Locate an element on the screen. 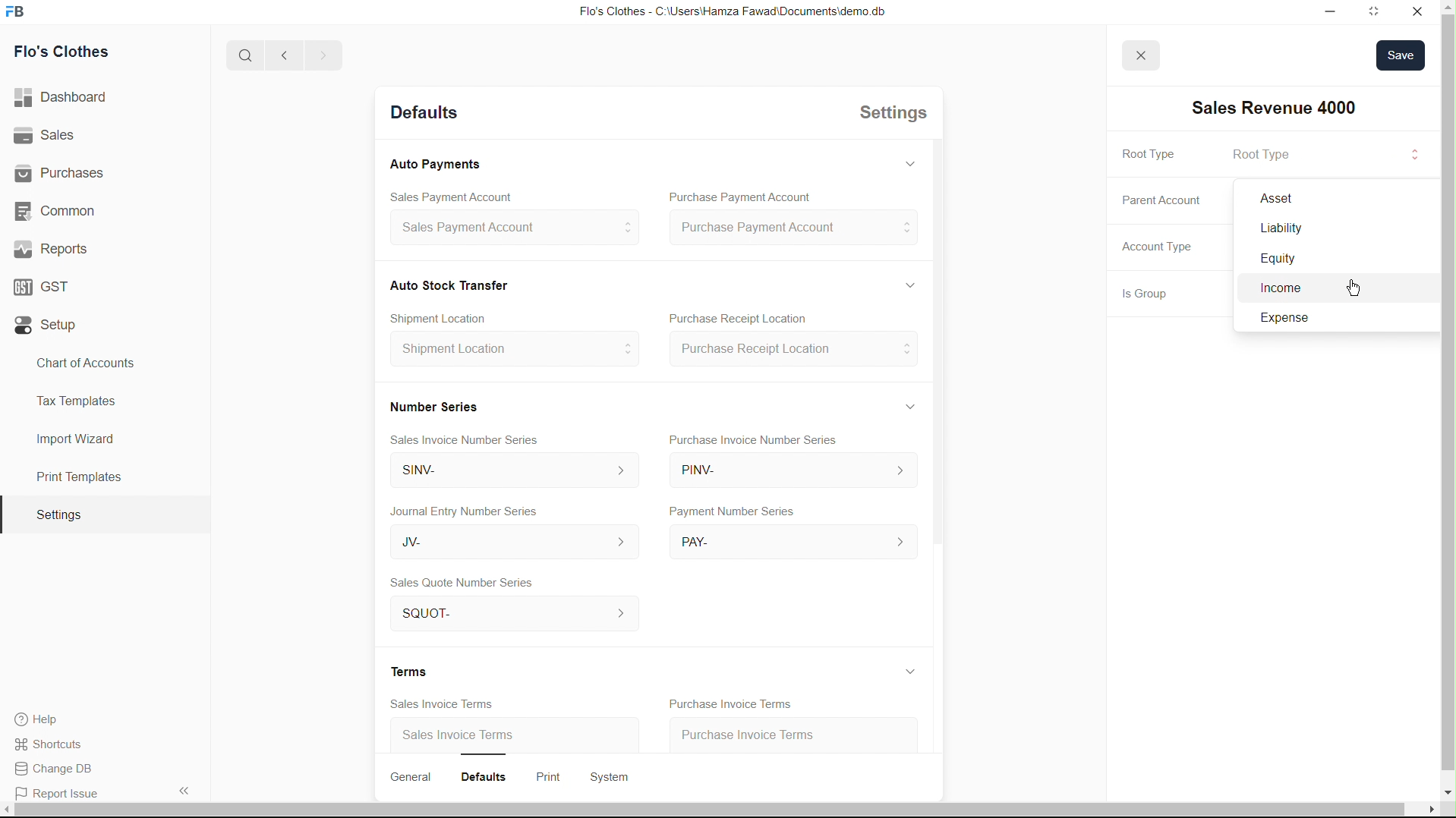  Help is located at coordinates (43, 719).